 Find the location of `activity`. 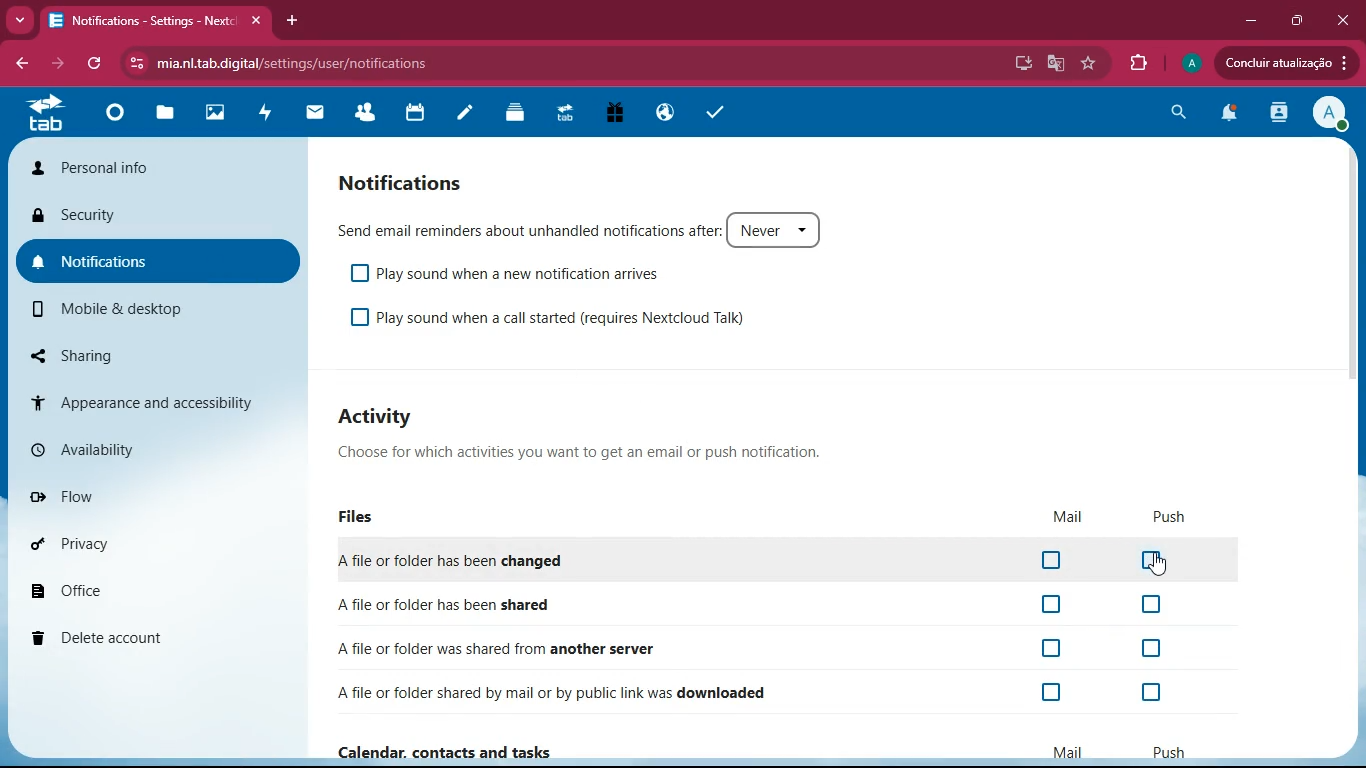

activity is located at coordinates (390, 414).